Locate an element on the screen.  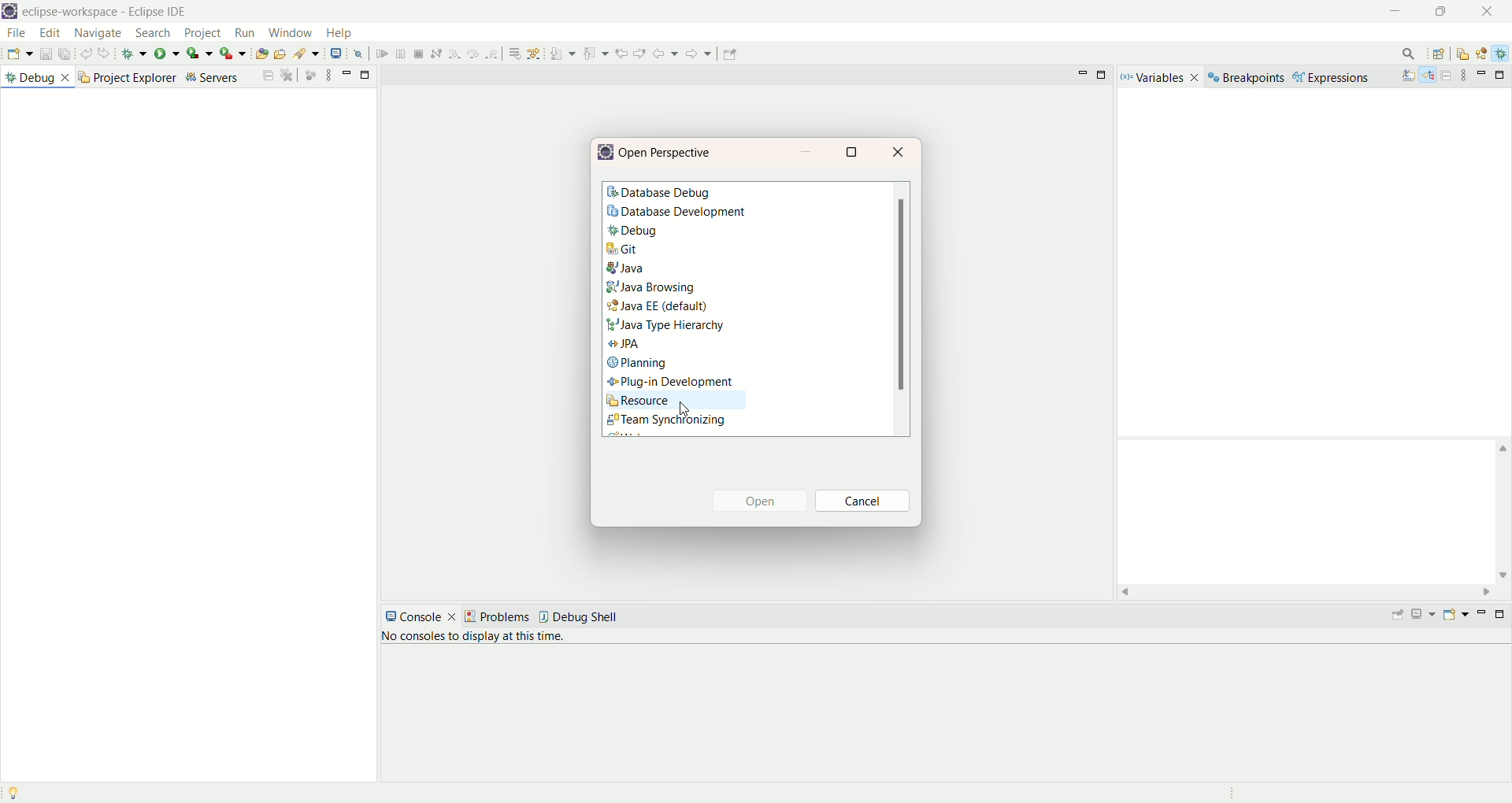
minimize is located at coordinates (812, 151).